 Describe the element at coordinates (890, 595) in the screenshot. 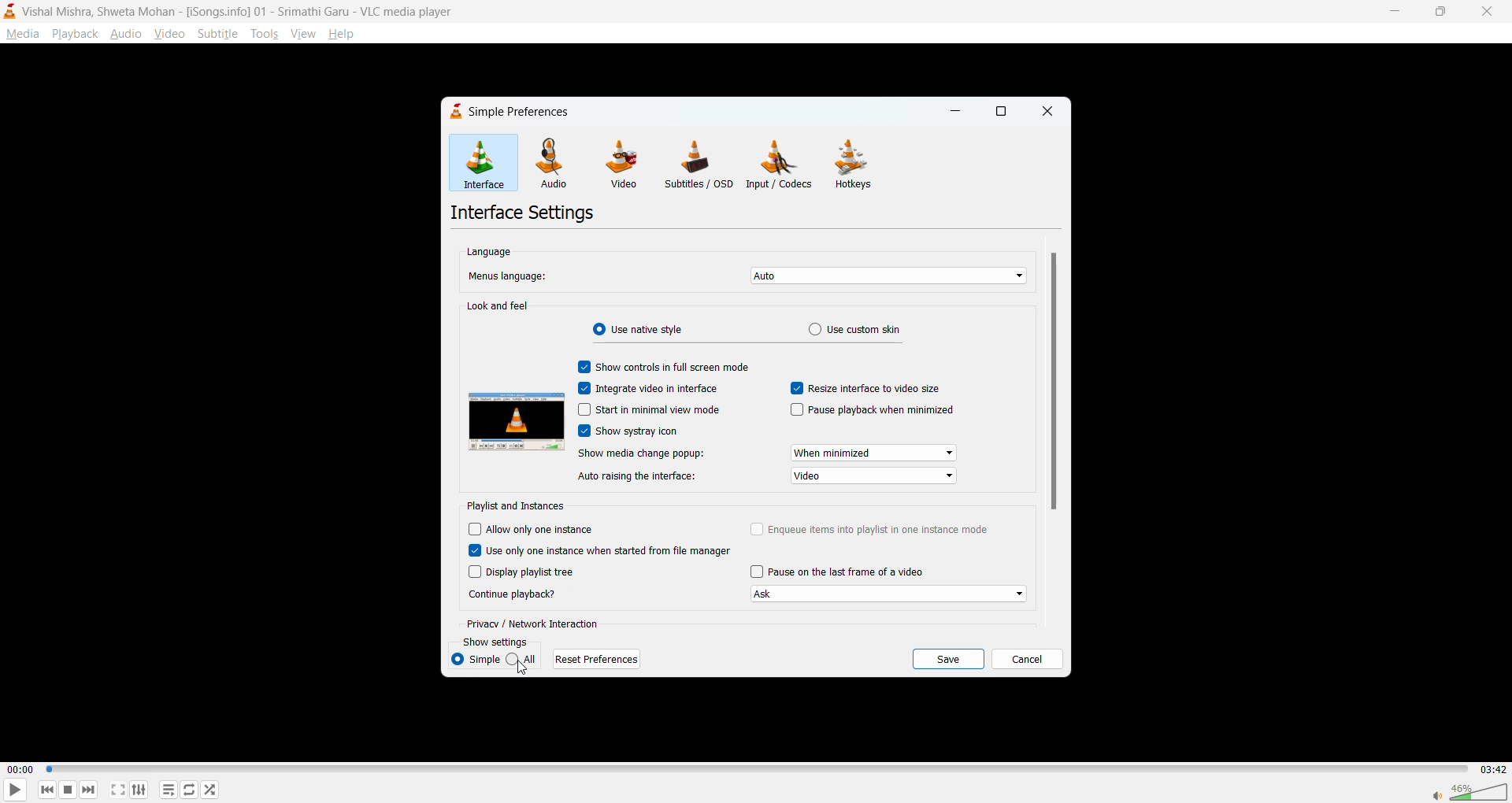

I see `Playback dropdown` at that location.